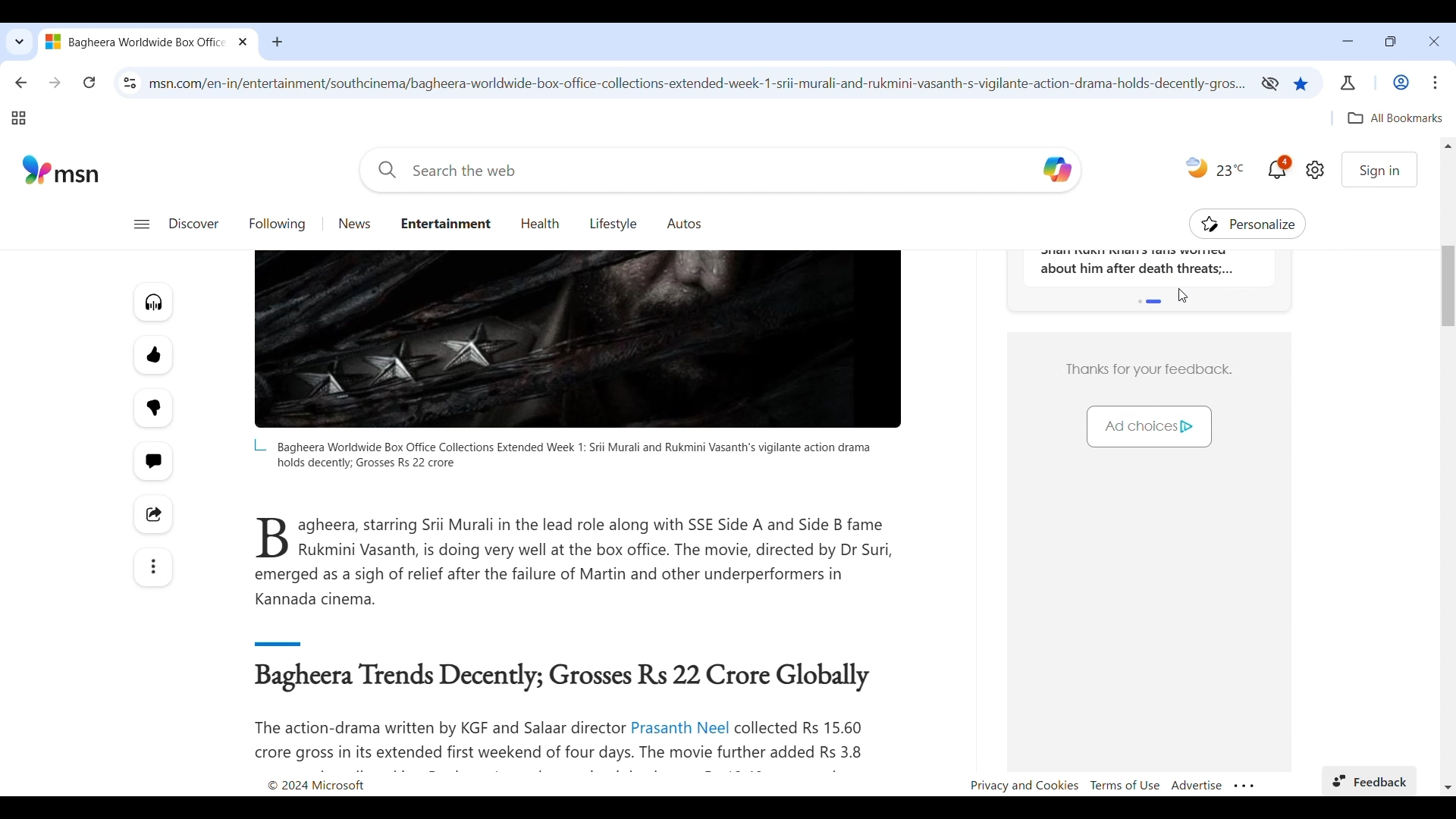 This screenshot has height=819, width=1456. What do you see at coordinates (1391, 41) in the screenshot?
I see `Show interface in a smaller tab` at bounding box center [1391, 41].